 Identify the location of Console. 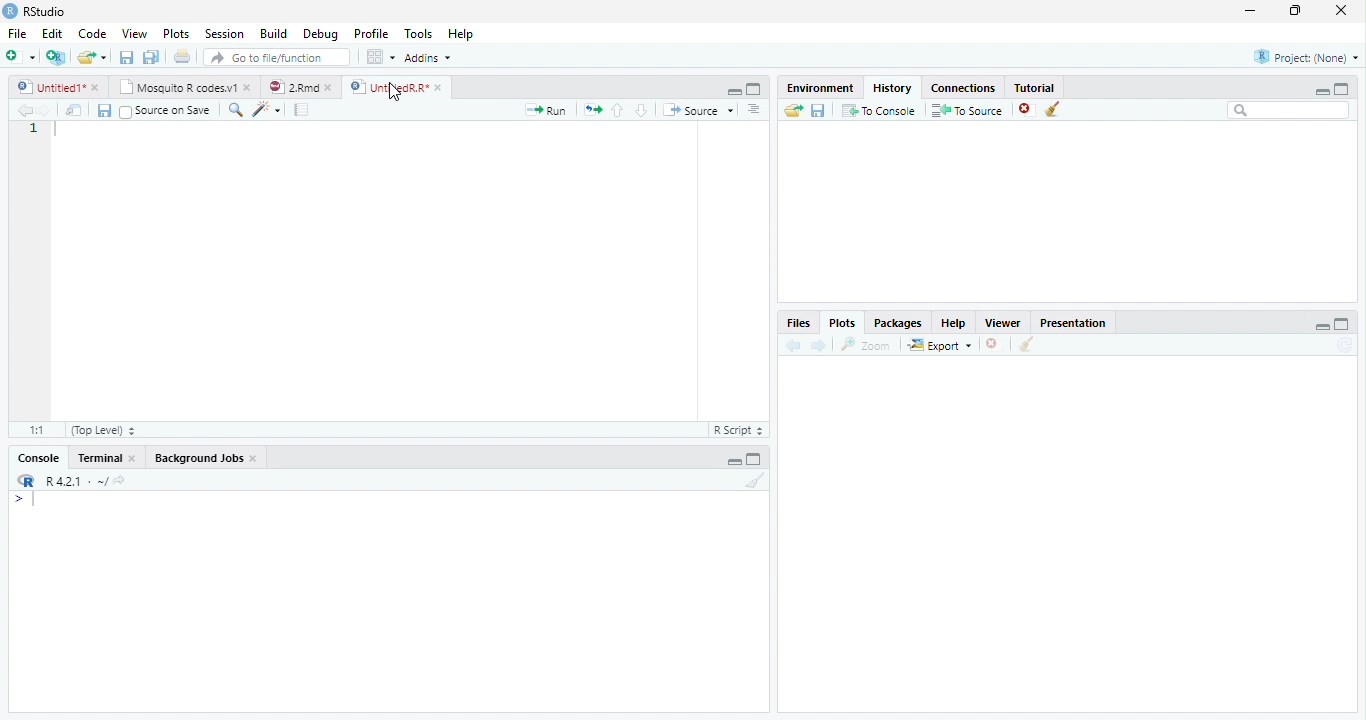
(39, 458).